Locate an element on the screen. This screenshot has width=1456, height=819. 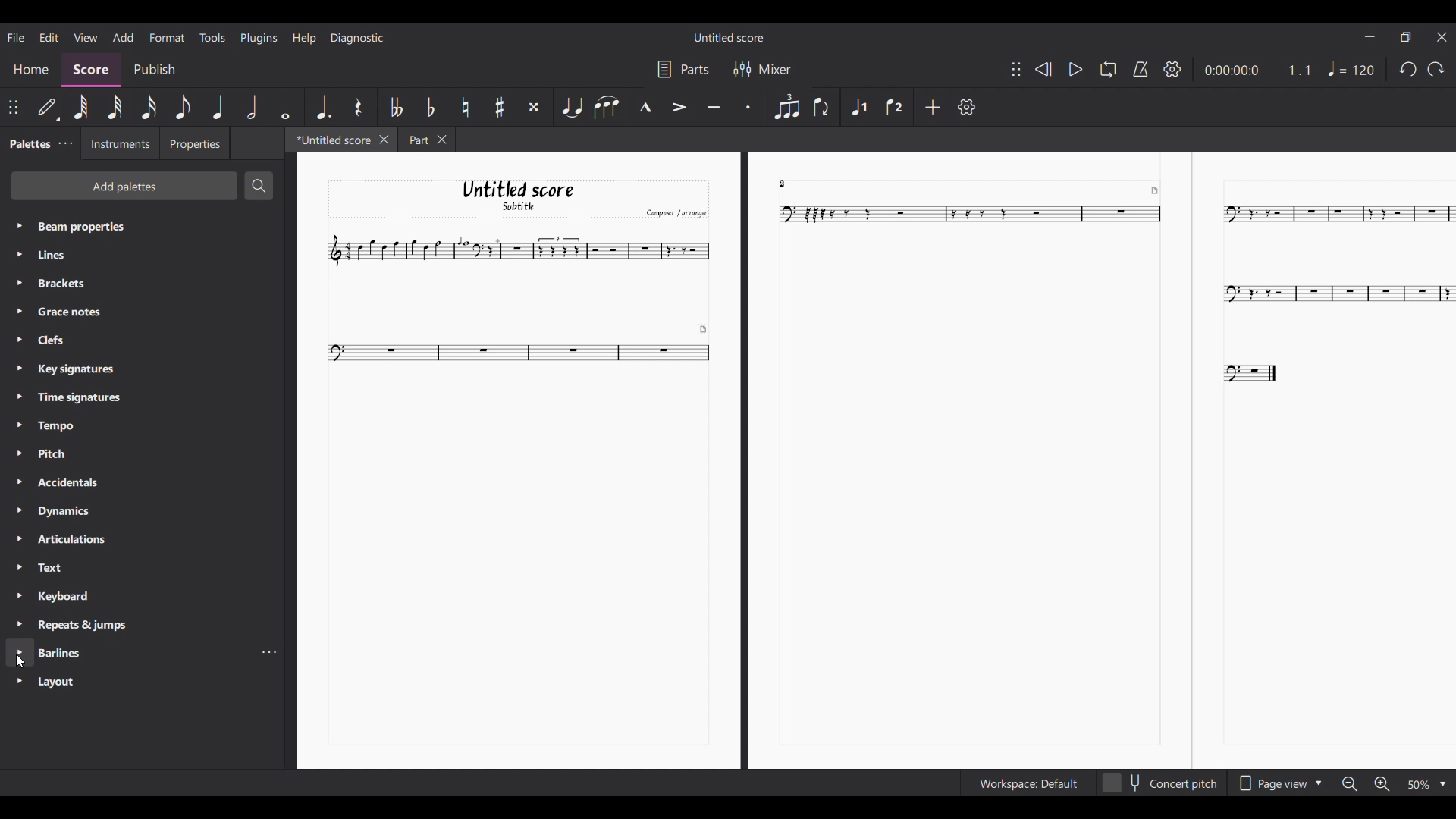
Other tab is located at coordinates (426, 140).